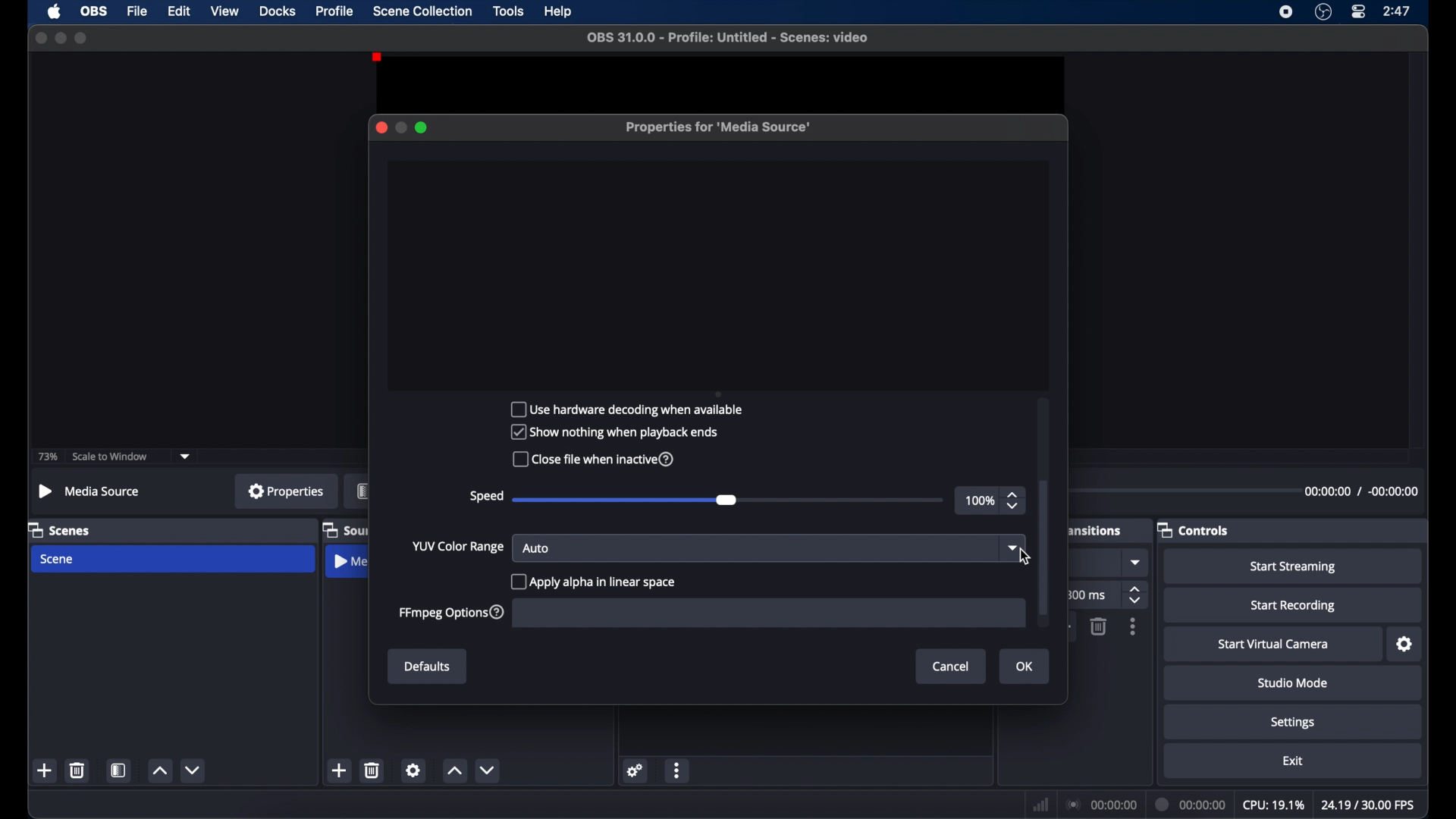  I want to click on add, so click(338, 770).